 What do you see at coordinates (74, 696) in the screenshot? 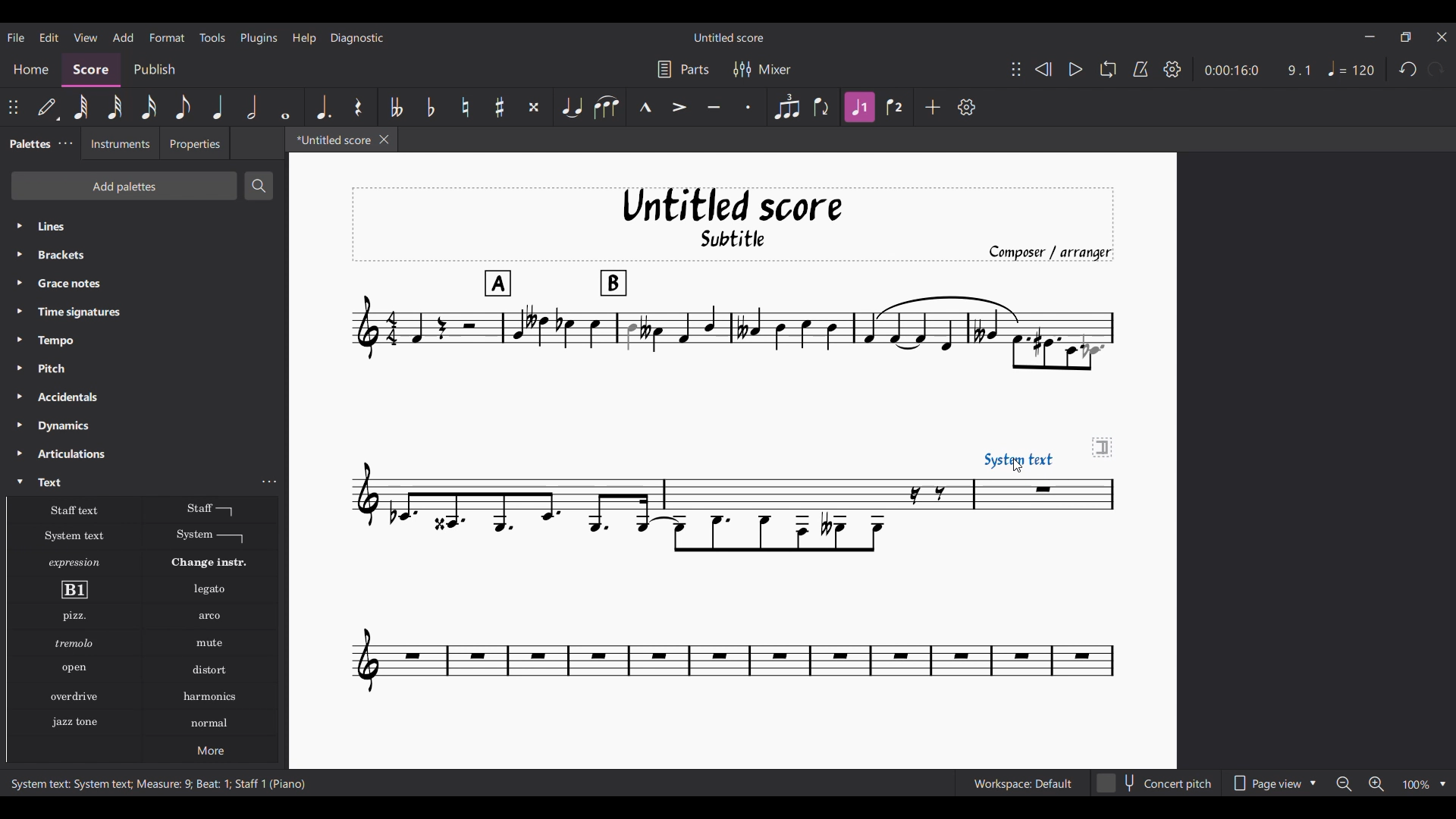
I see `Overdrive` at bounding box center [74, 696].